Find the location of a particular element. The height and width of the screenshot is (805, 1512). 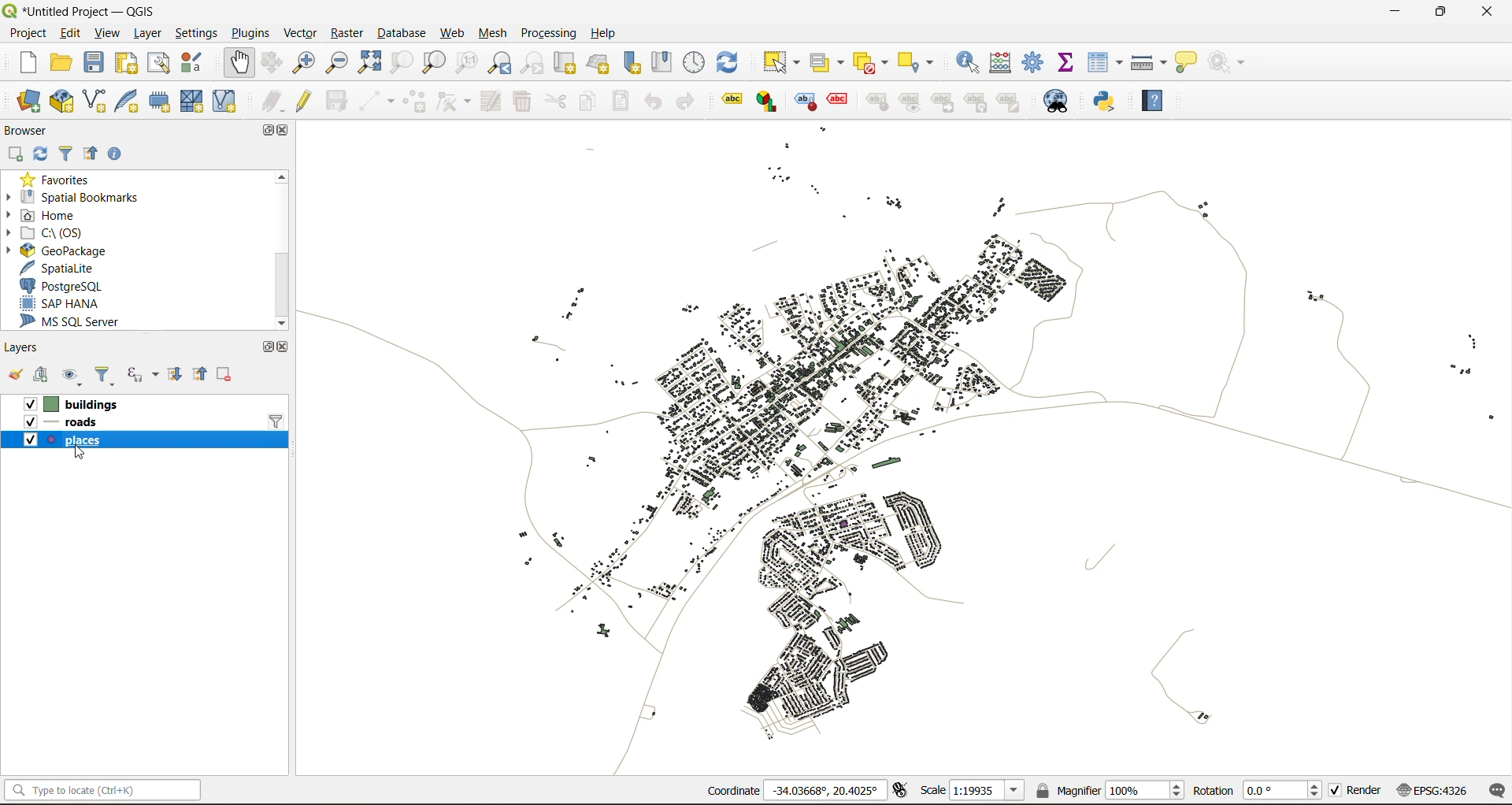

statistical summary is located at coordinates (1071, 63).